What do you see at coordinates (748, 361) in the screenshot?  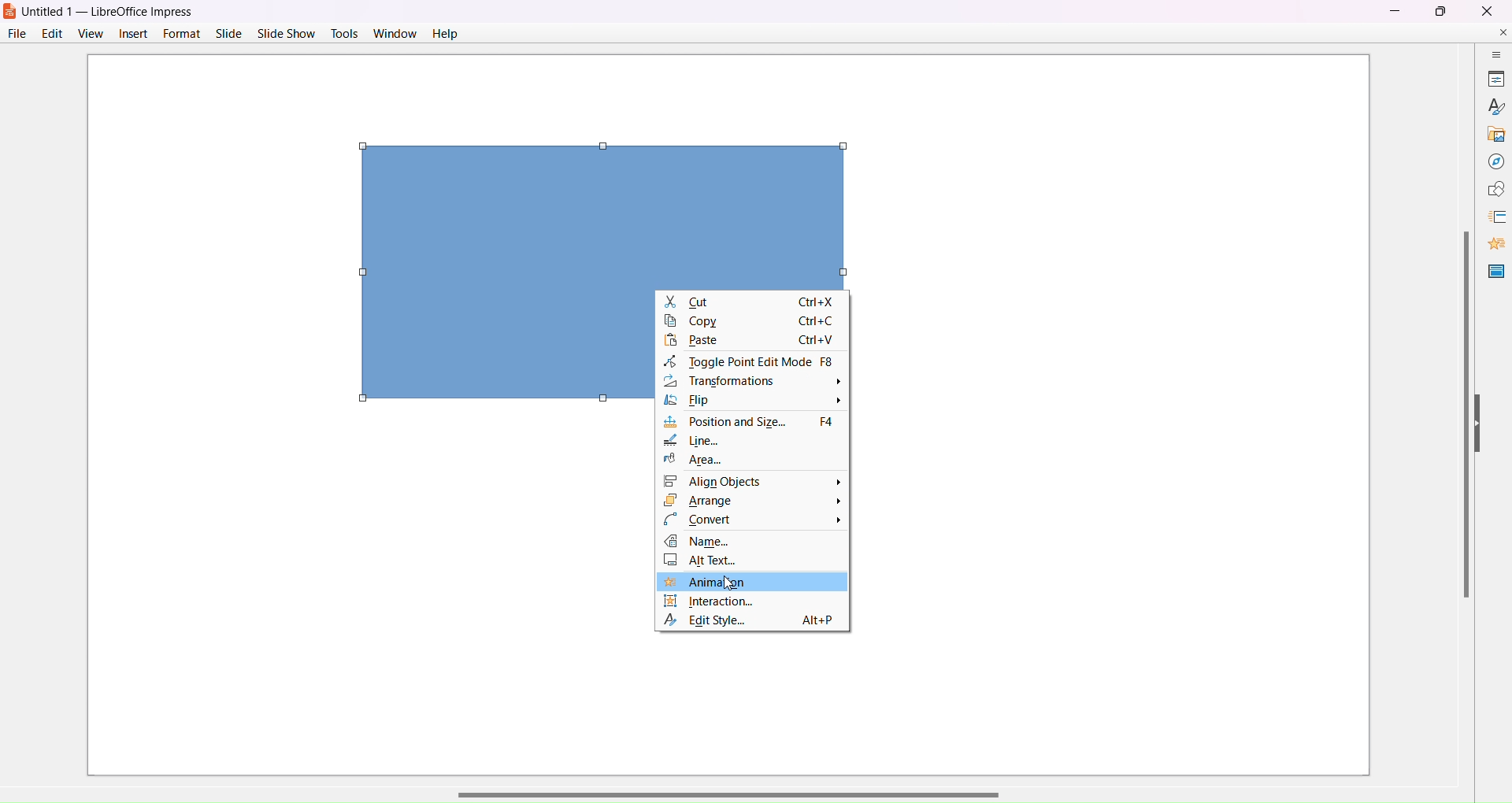 I see `Toggle point editor mode` at bounding box center [748, 361].